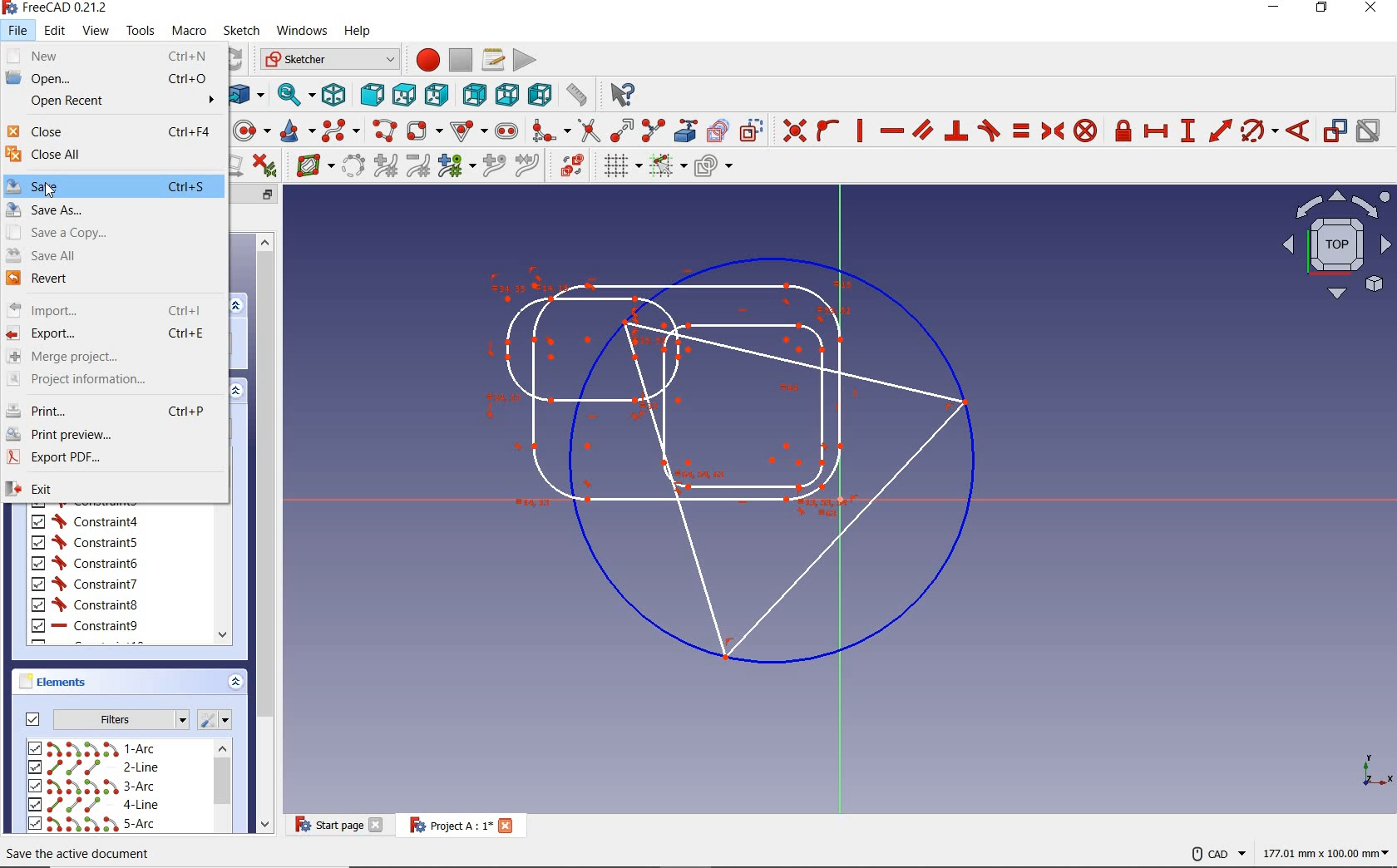 This screenshot has height=868, width=1397. Describe the element at coordinates (792, 130) in the screenshot. I see `constrain coincident` at that location.